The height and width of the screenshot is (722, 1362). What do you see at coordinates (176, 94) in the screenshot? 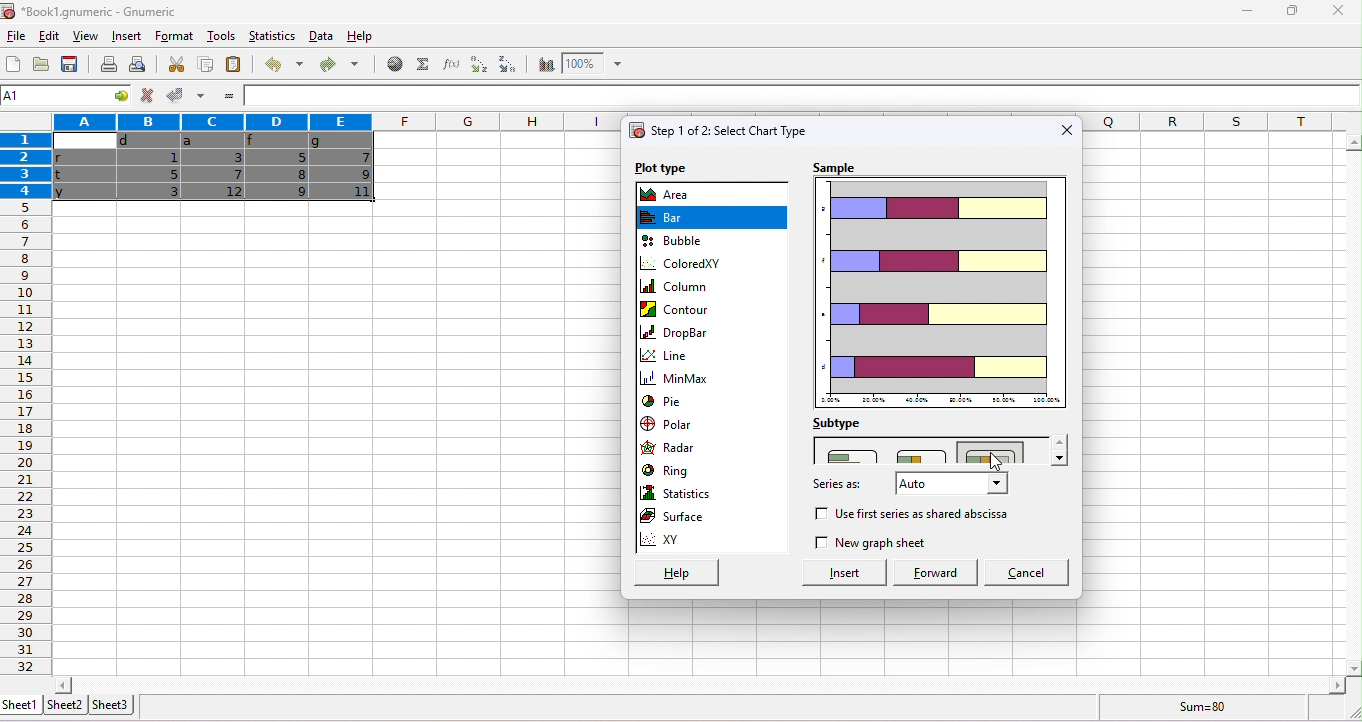
I see `accept changes` at bounding box center [176, 94].